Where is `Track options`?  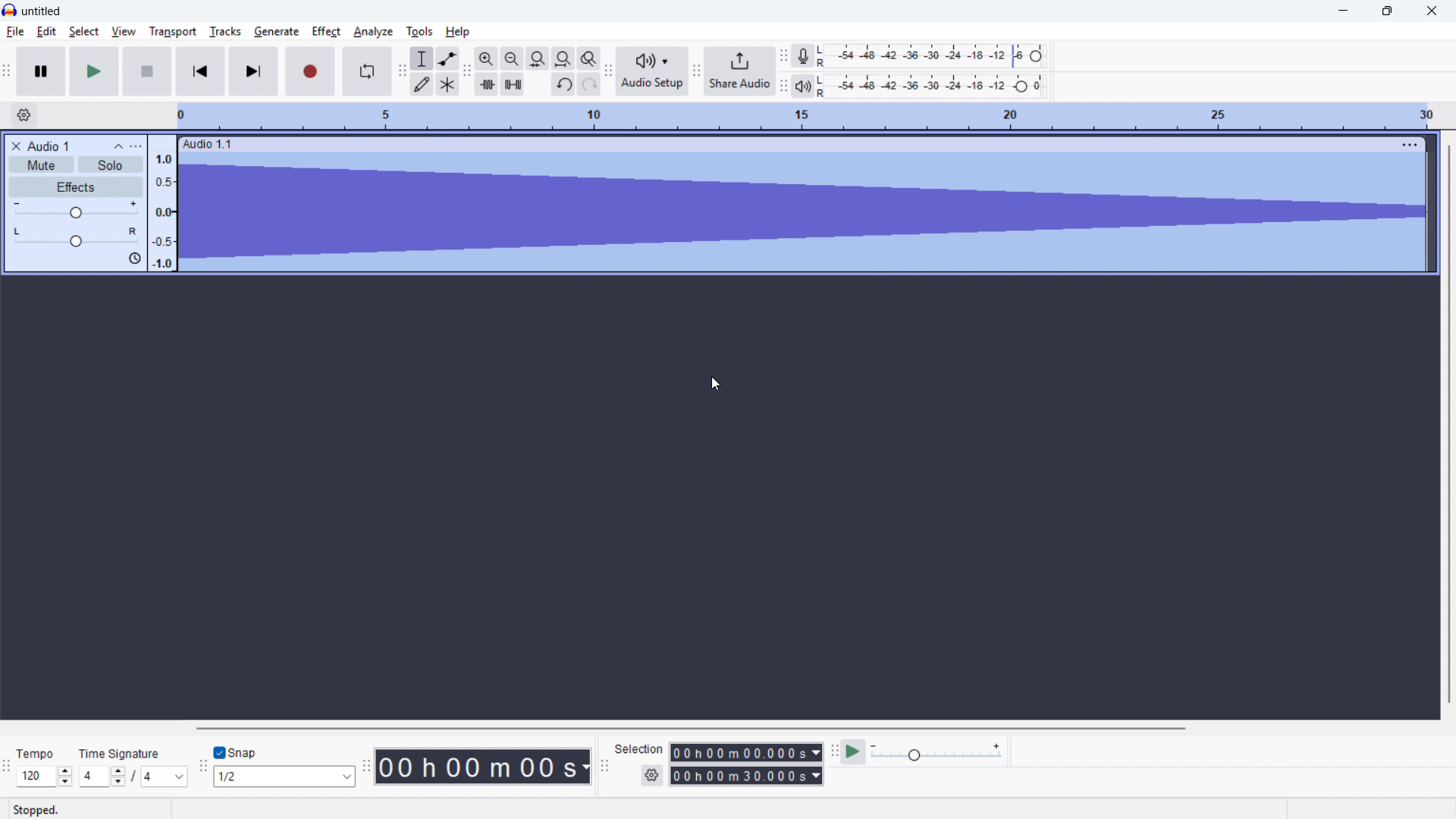 Track options is located at coordinates (1408, 146).